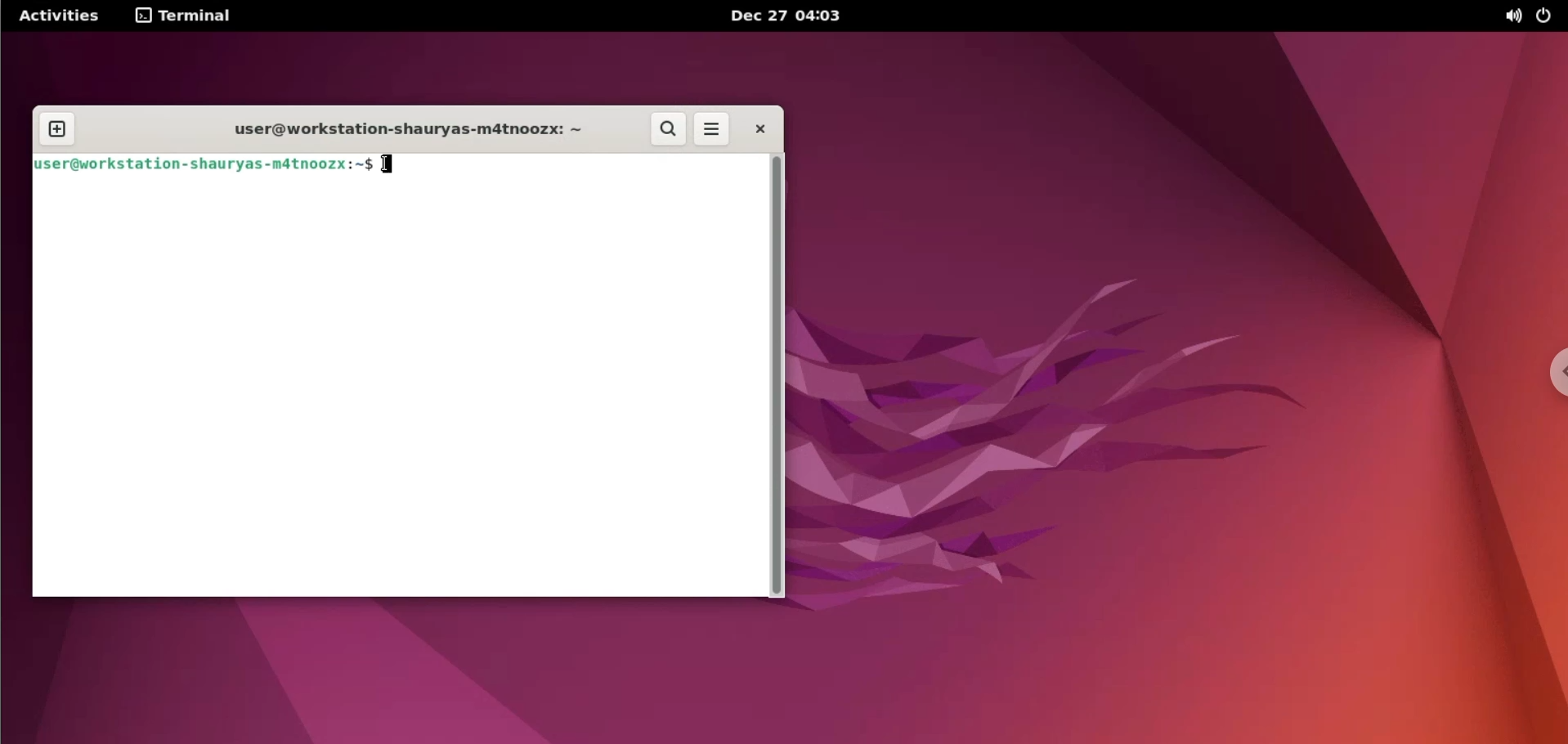 This screenshot has height=744, width=1568. Describe the element at coordinates (759, 128) in the screenshot. I see `close` at that location.